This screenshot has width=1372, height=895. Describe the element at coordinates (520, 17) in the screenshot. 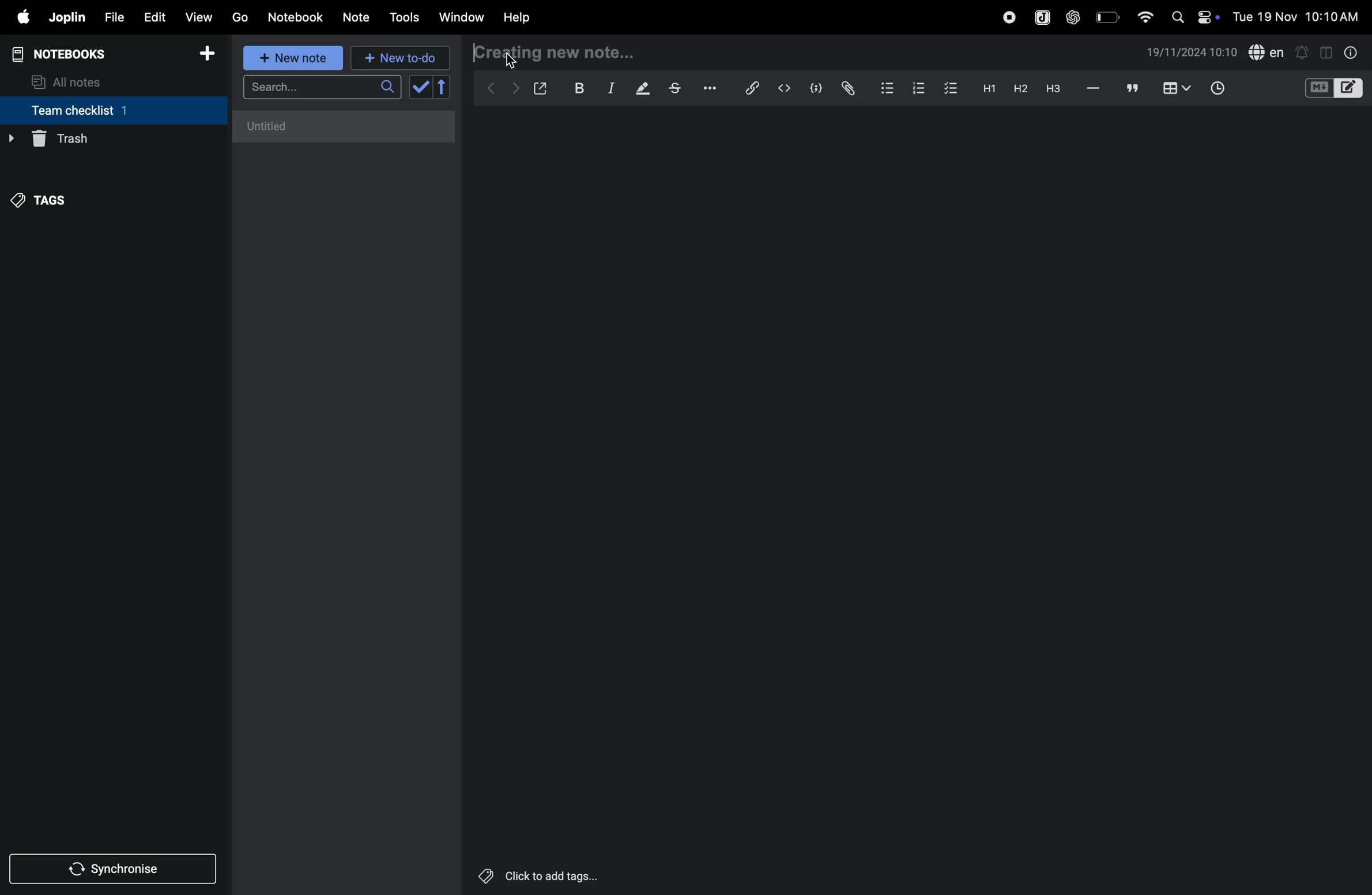

I see `help` at that location.